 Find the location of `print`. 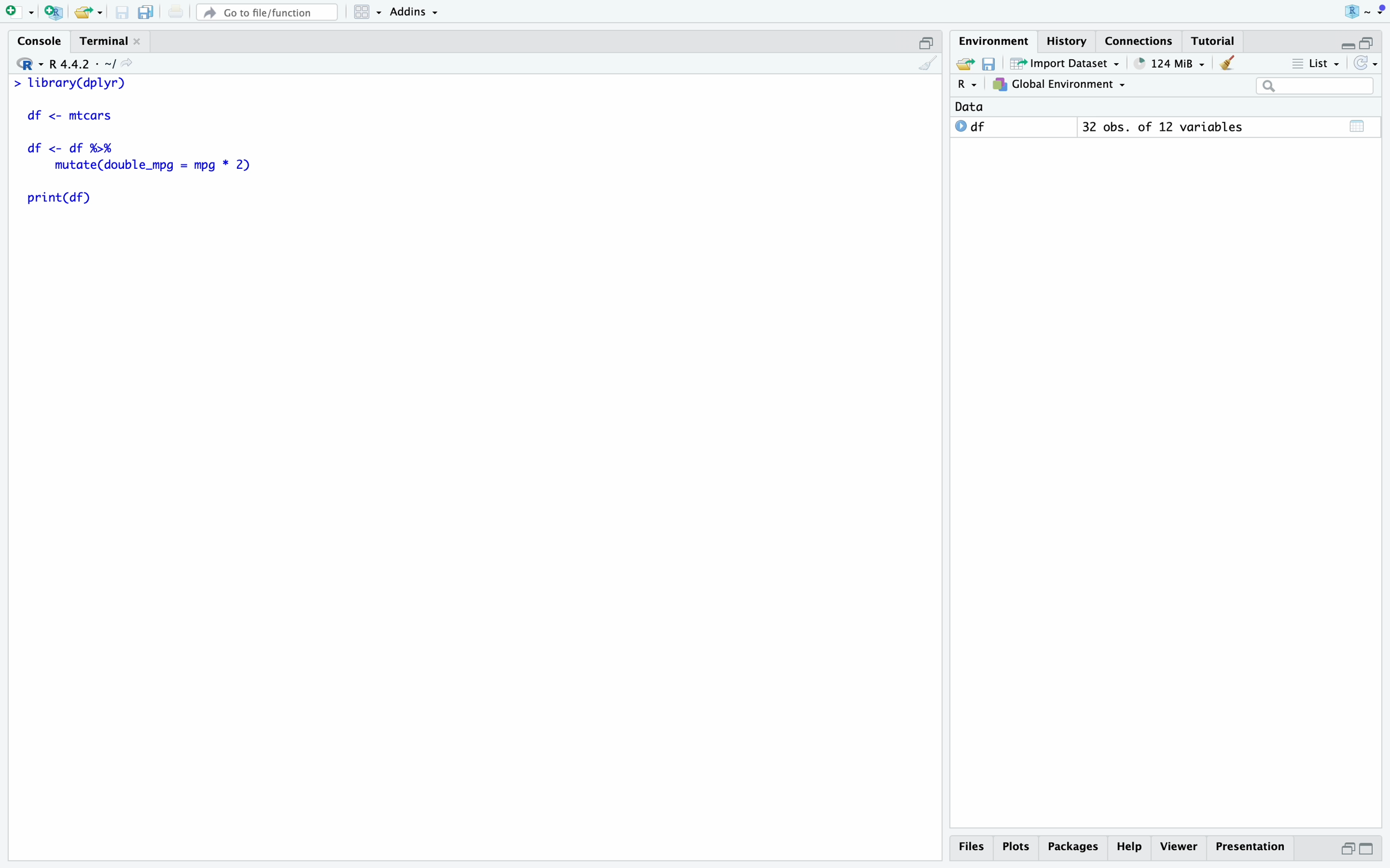

print is located at coordinates (176, 11).